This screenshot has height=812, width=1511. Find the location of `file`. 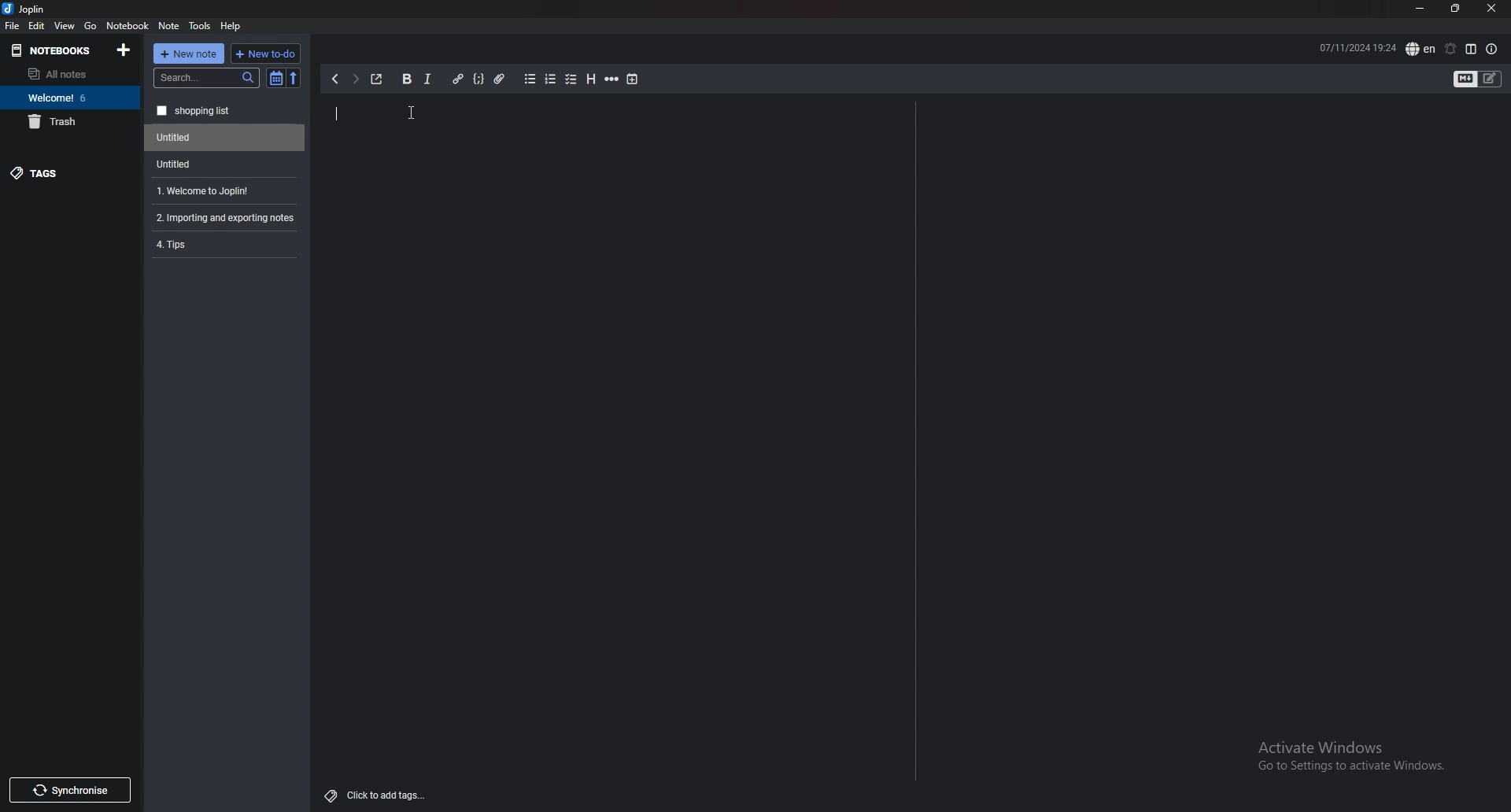

file is located at coordinates (12, 25).